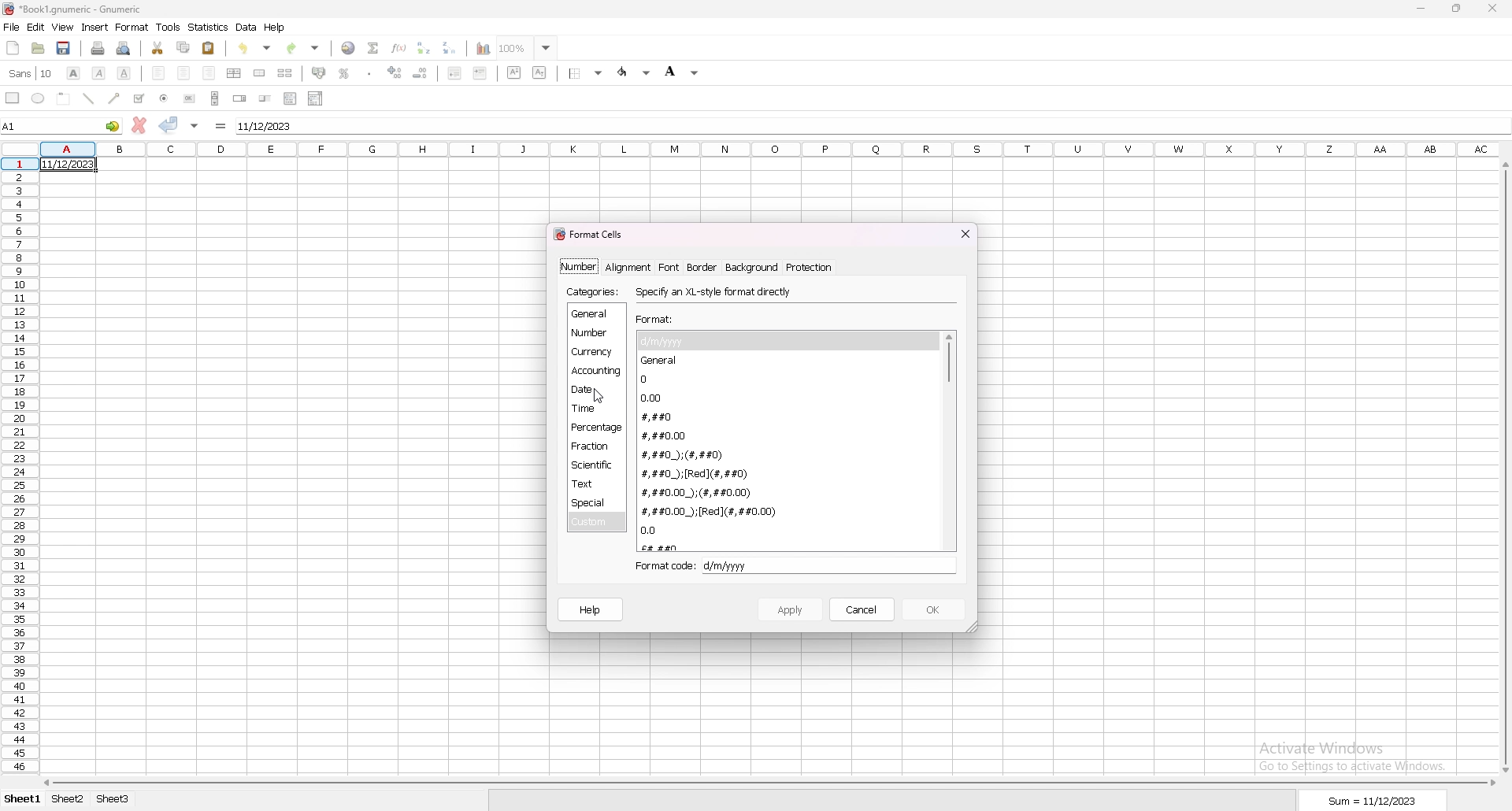 Image resolution: width=1512 pixels, height=811 pixels. Describe the element at coordinates (862, 609) in the screenshot. I see `cancel` at that location.